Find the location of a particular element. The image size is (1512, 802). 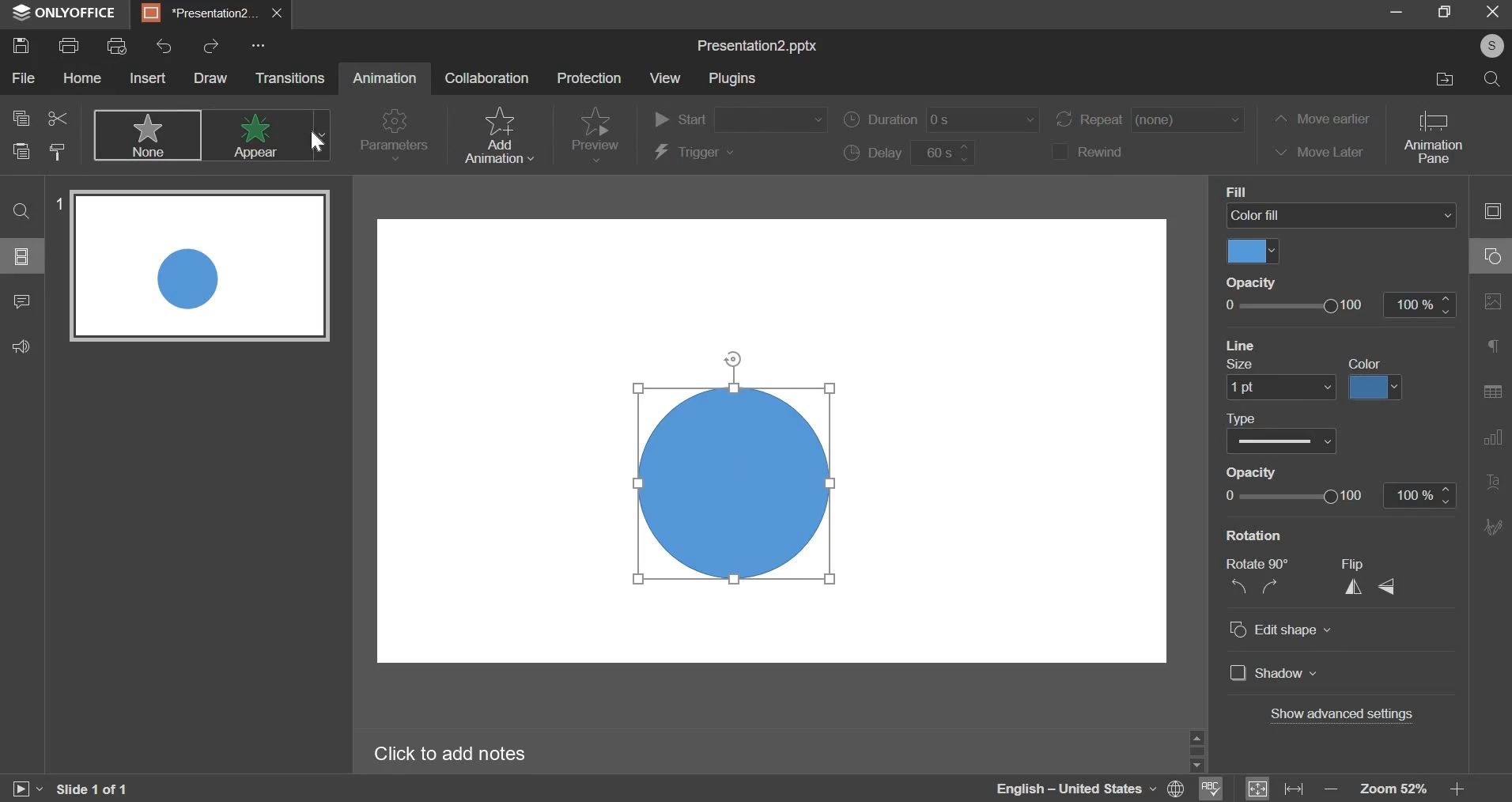

copy is located at coordinates (20, 116).